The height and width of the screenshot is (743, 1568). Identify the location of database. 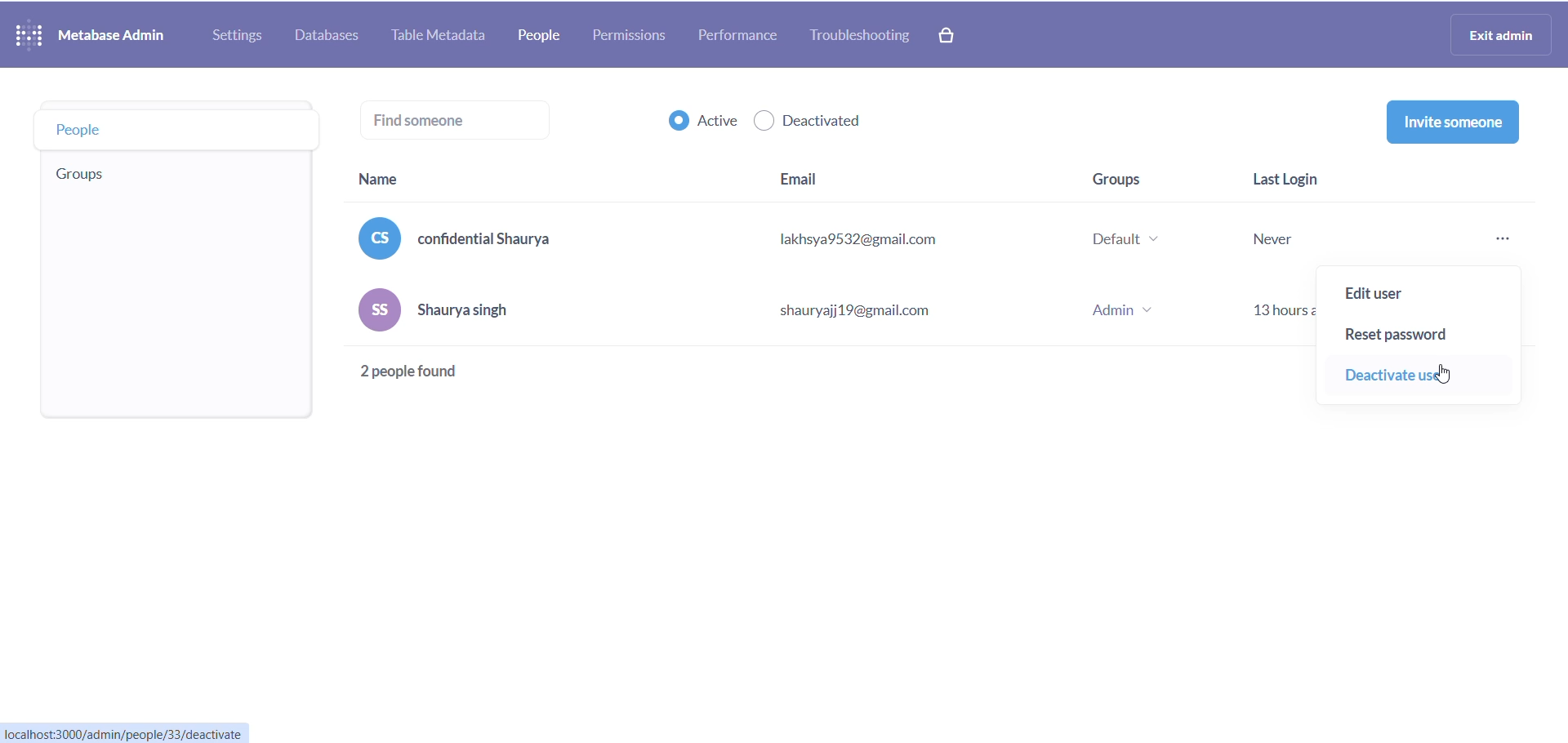
(325, 35).